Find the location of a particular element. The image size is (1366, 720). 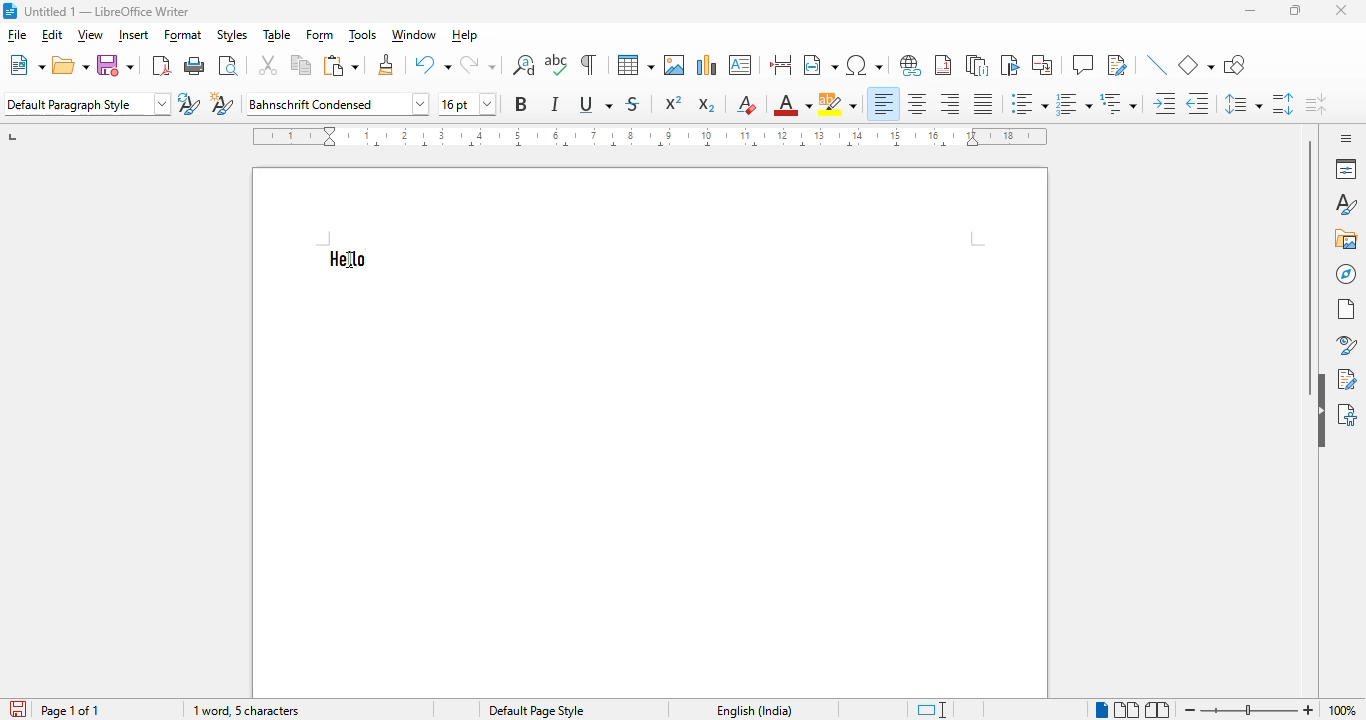

minimize is located at coordinates (1251, 11).